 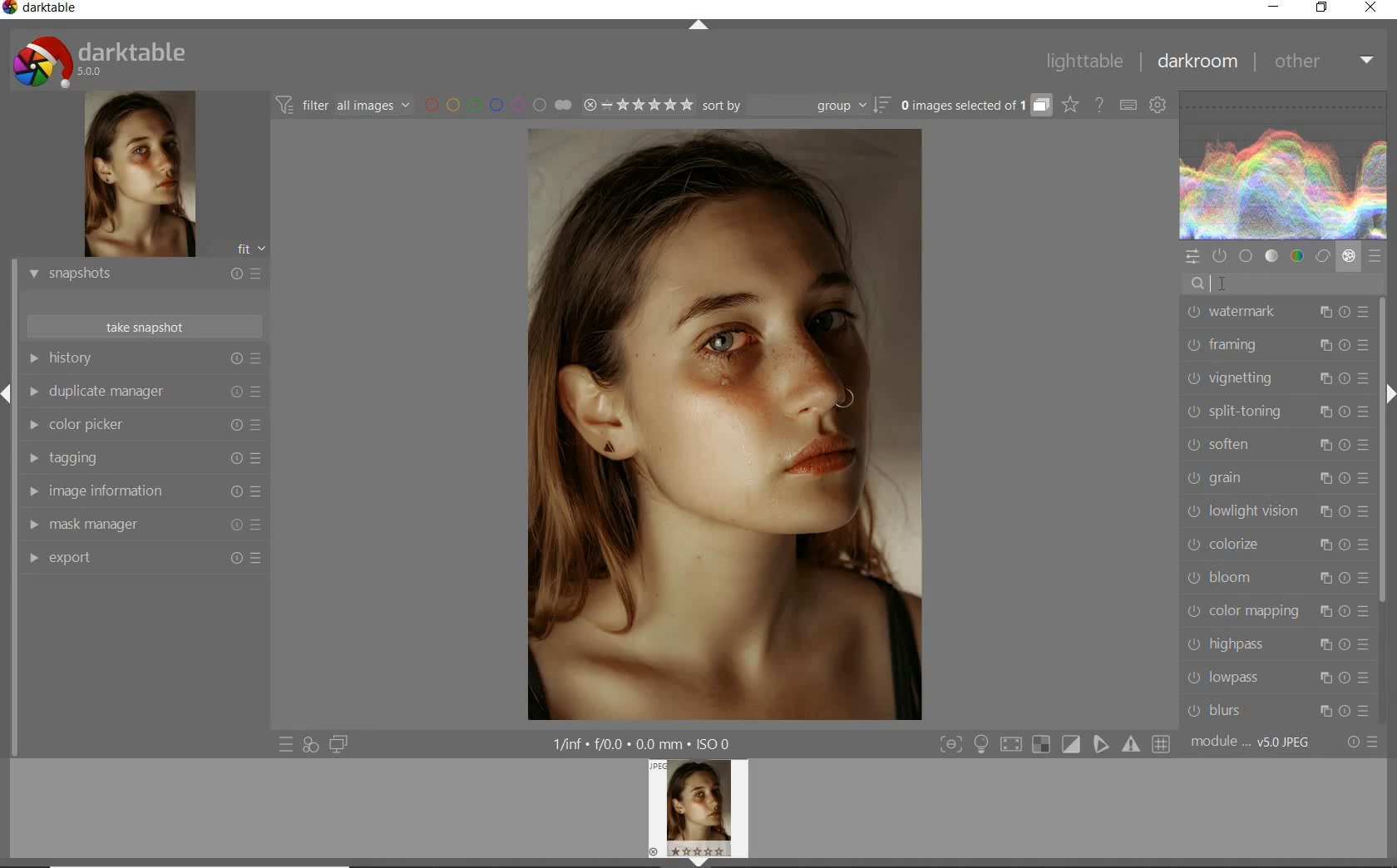 What do you see at coordinates (1284, 284) in the screenshot?
I see `search modules by name` at bounding box center [1284, 284].